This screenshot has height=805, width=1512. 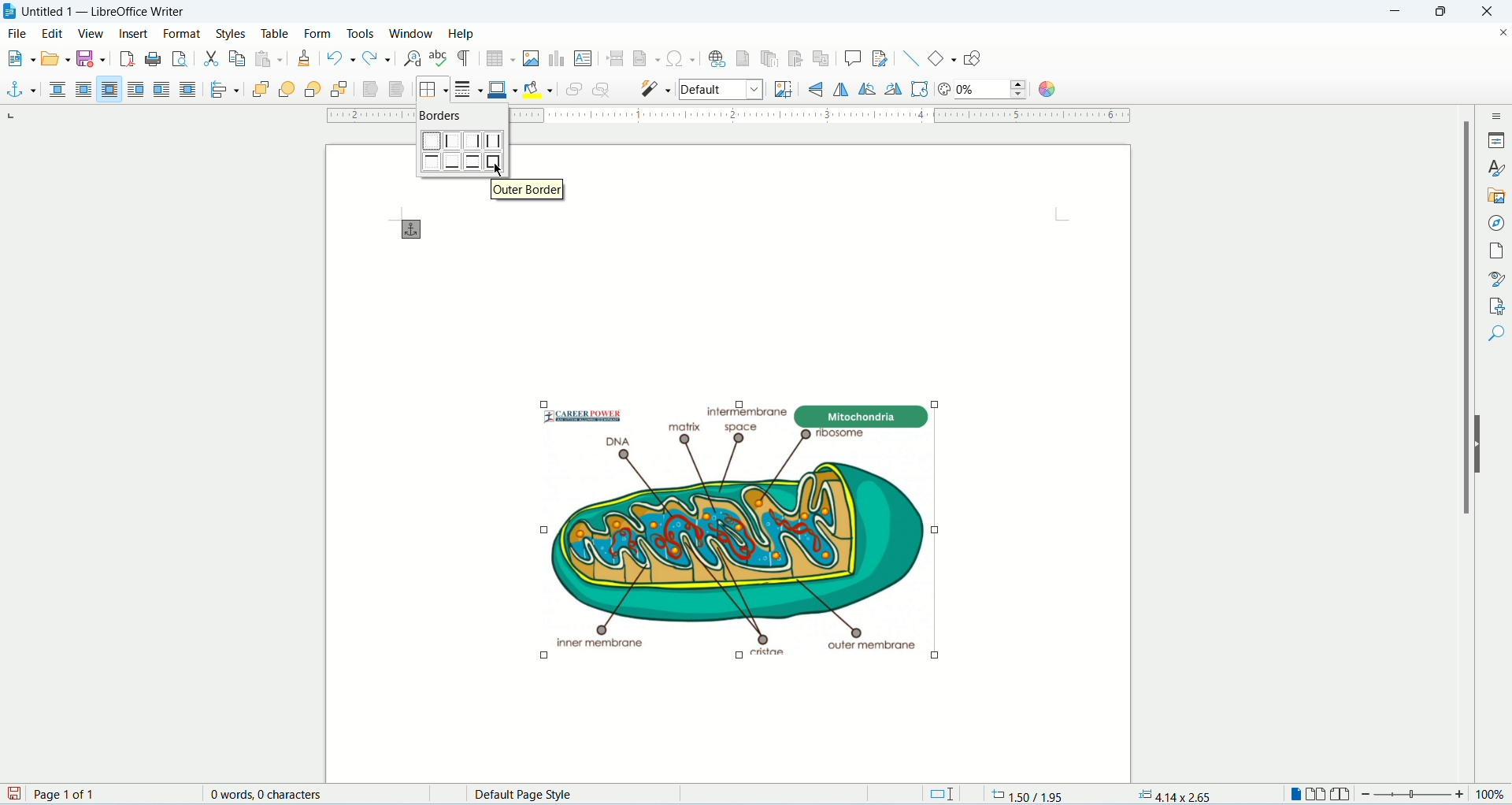 I want to click on forward one, so click(x=287, y=91).